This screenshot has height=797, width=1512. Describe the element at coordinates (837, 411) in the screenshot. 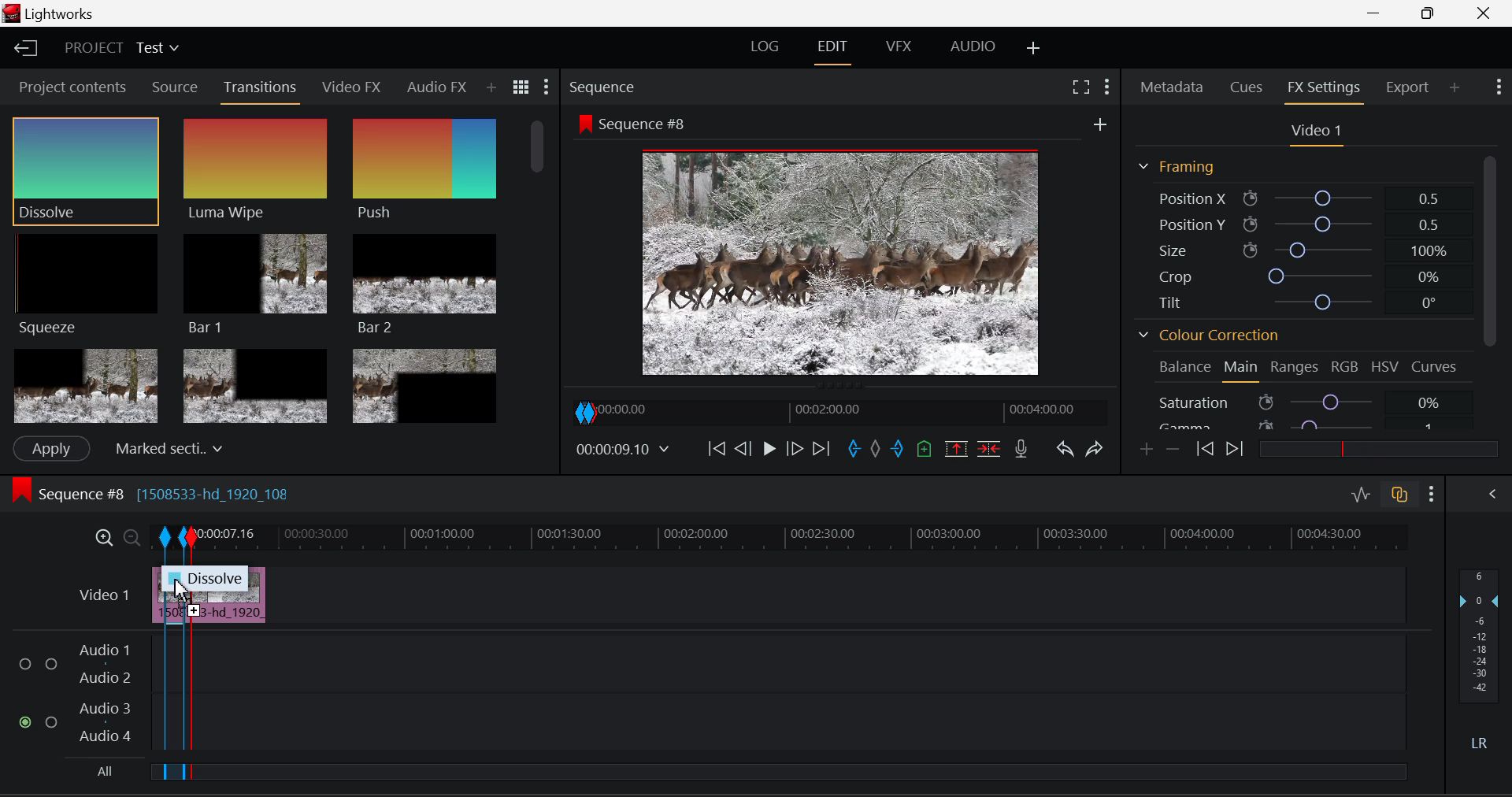

I see `Project Timeline Navigator` at that location.